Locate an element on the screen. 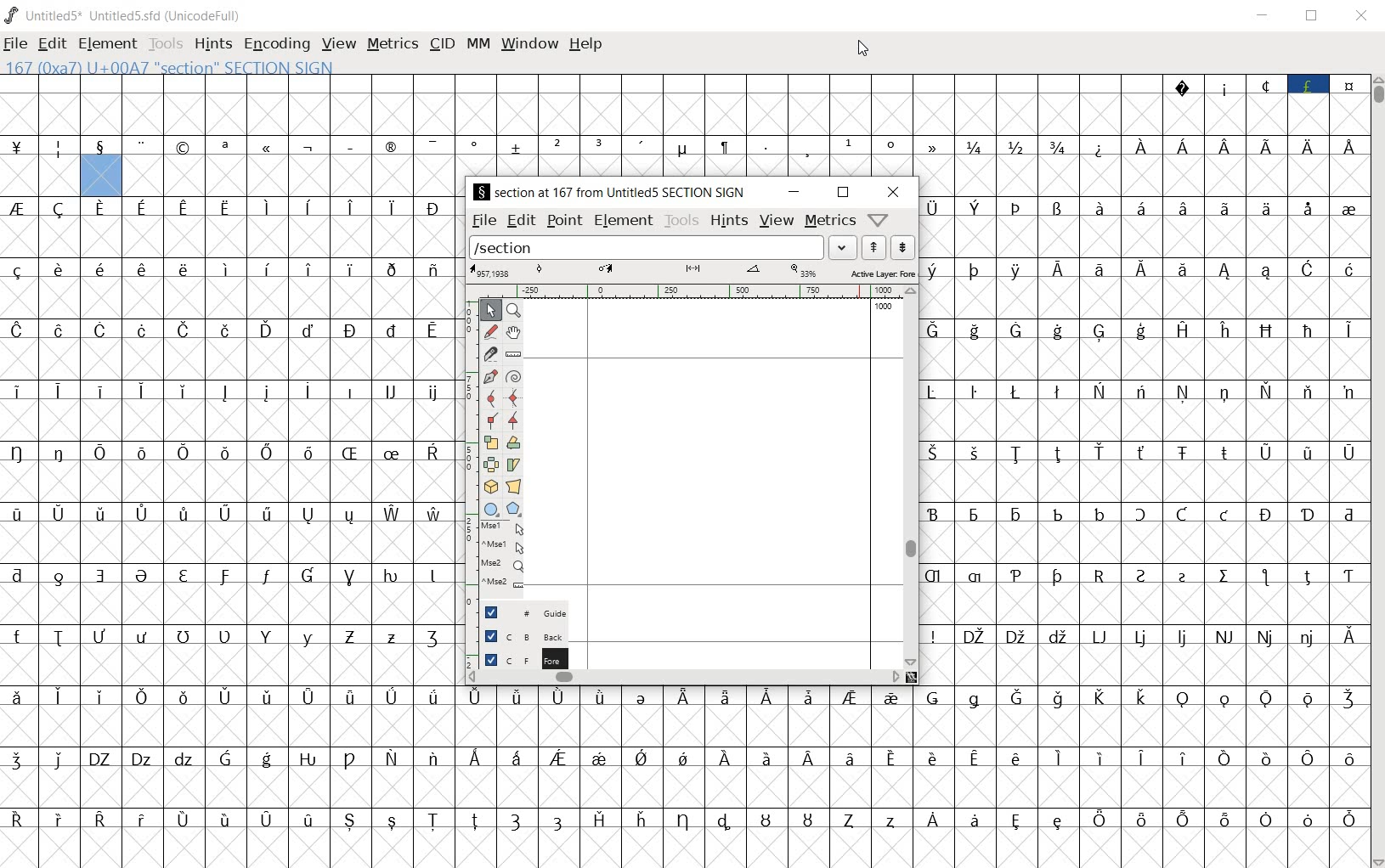 This screenshot has height=868, width=1385. special letters is located at coordinates (1144, 511).